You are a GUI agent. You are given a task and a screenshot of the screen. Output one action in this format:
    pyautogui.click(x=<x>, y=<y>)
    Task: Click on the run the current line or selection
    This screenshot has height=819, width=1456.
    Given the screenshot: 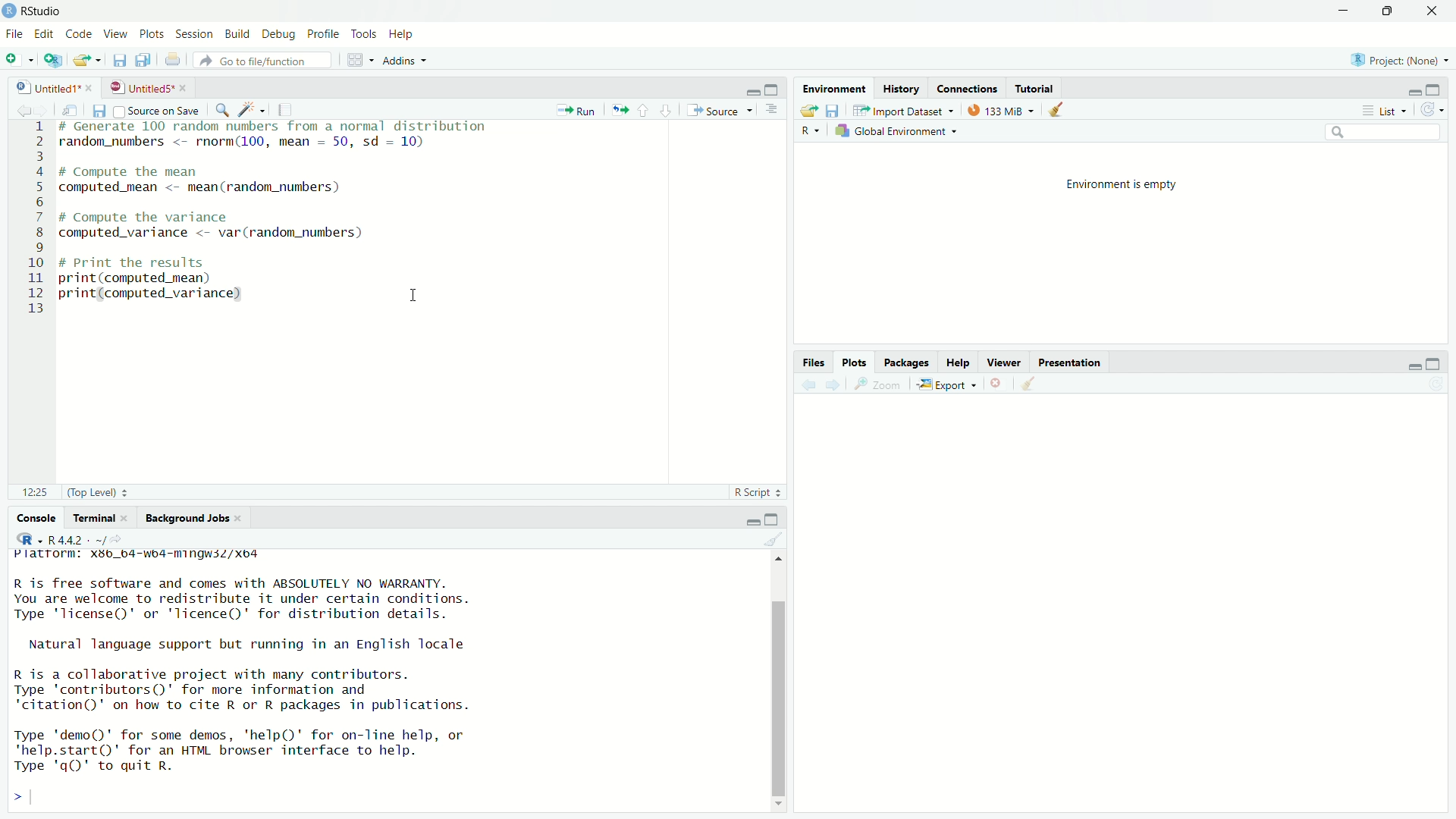 What is the action you would take?
    pyautogui.click(x=578, y=110)
    